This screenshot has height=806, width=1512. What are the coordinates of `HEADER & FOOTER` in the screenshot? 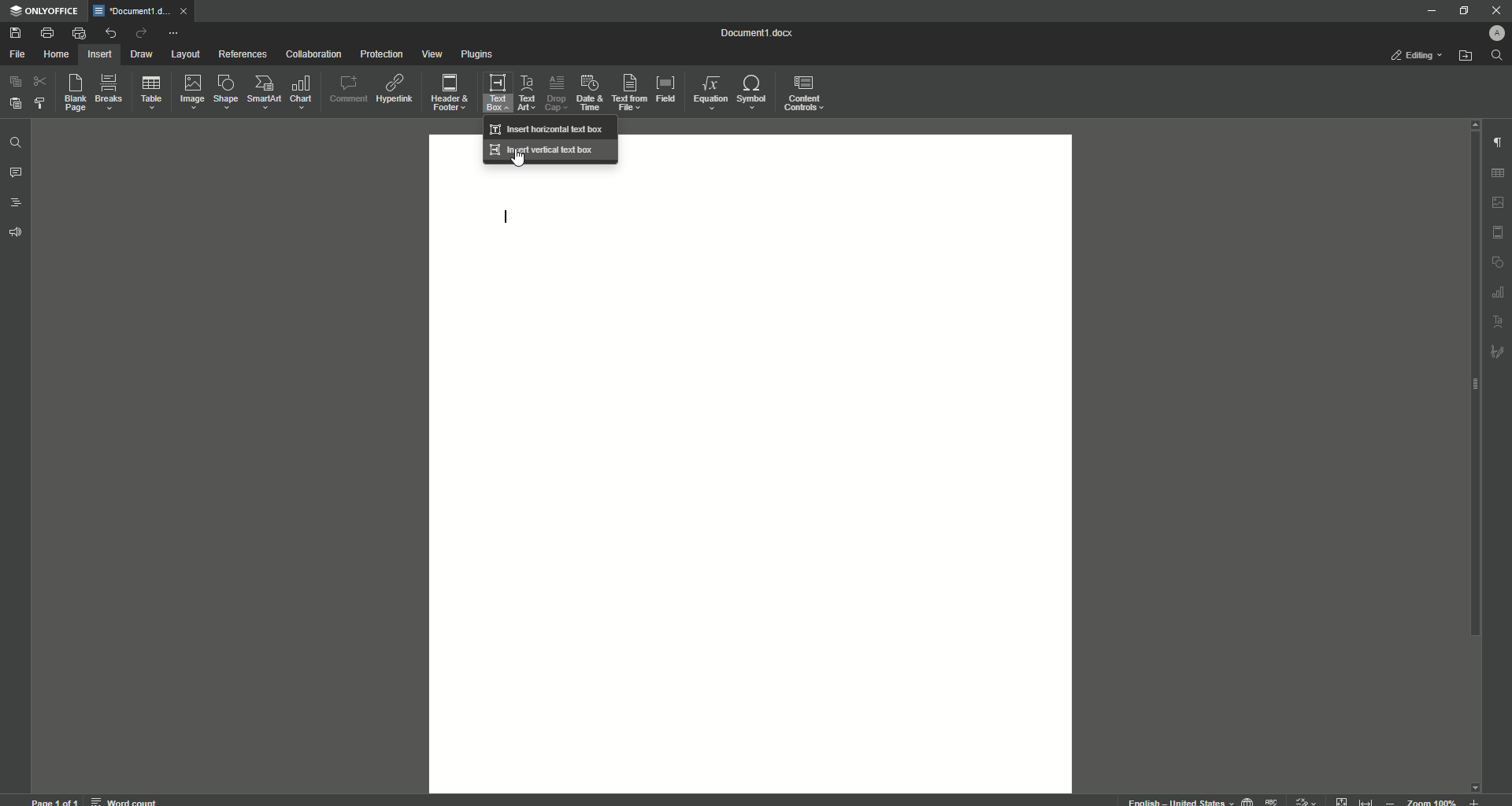 It's located at (1498, 233).